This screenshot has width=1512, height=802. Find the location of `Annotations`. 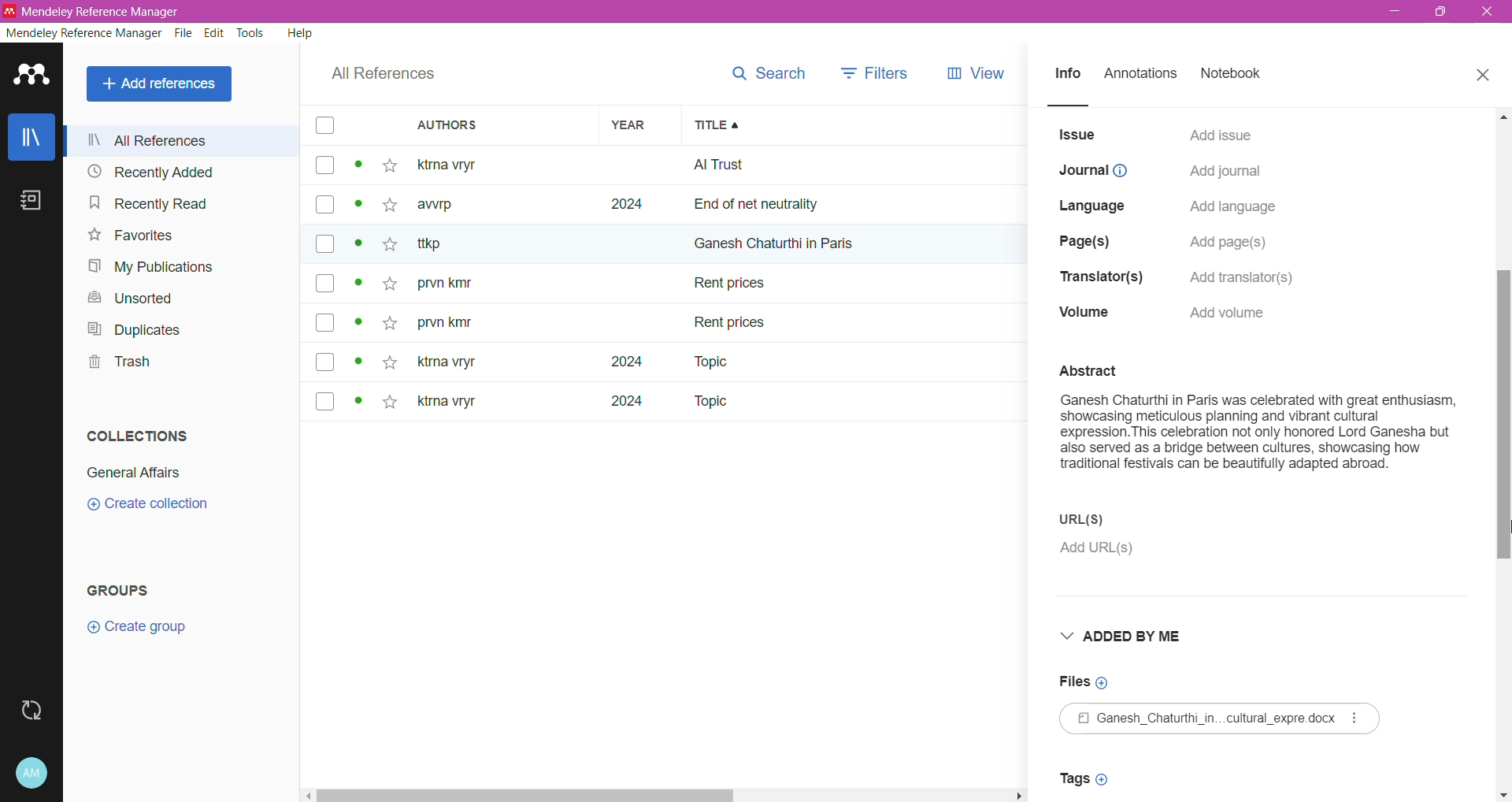

Annotations is located at coordinates (1145, 75).